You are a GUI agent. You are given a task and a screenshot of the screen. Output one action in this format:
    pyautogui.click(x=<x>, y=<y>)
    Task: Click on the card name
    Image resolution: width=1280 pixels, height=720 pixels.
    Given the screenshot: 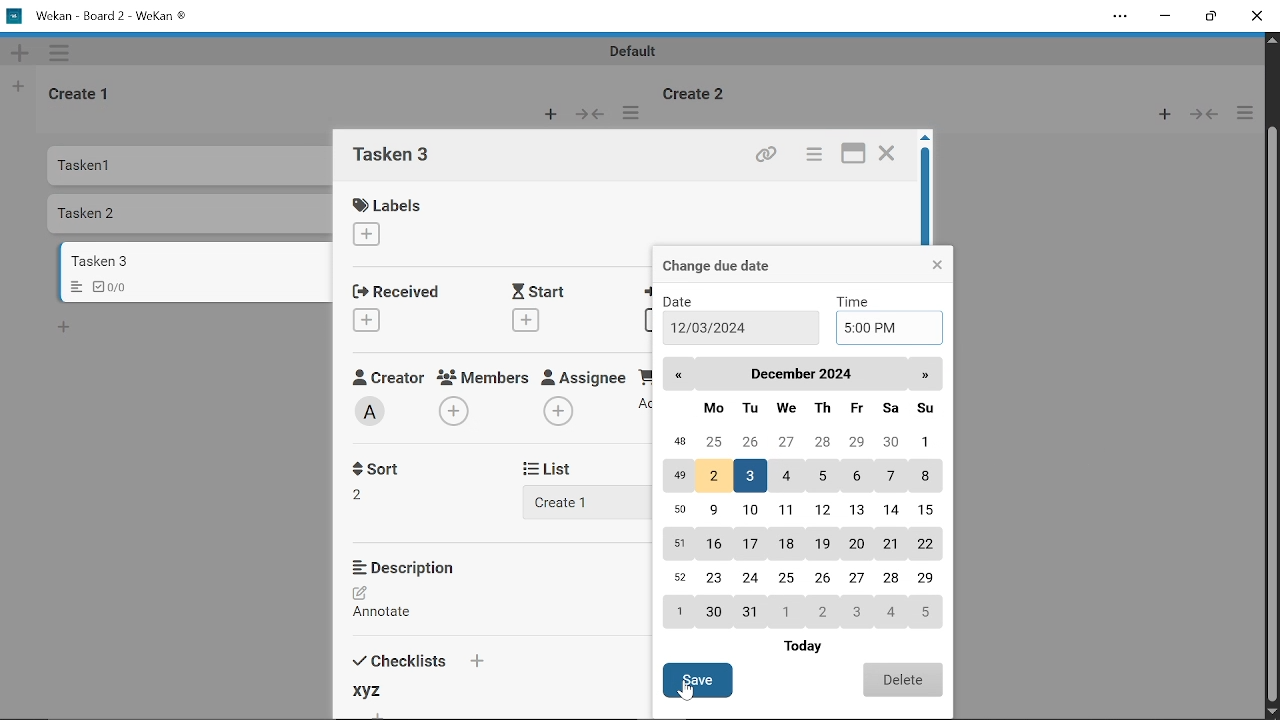 What is the action you would take?
    pyautogui.click(x=399, y=157)
    